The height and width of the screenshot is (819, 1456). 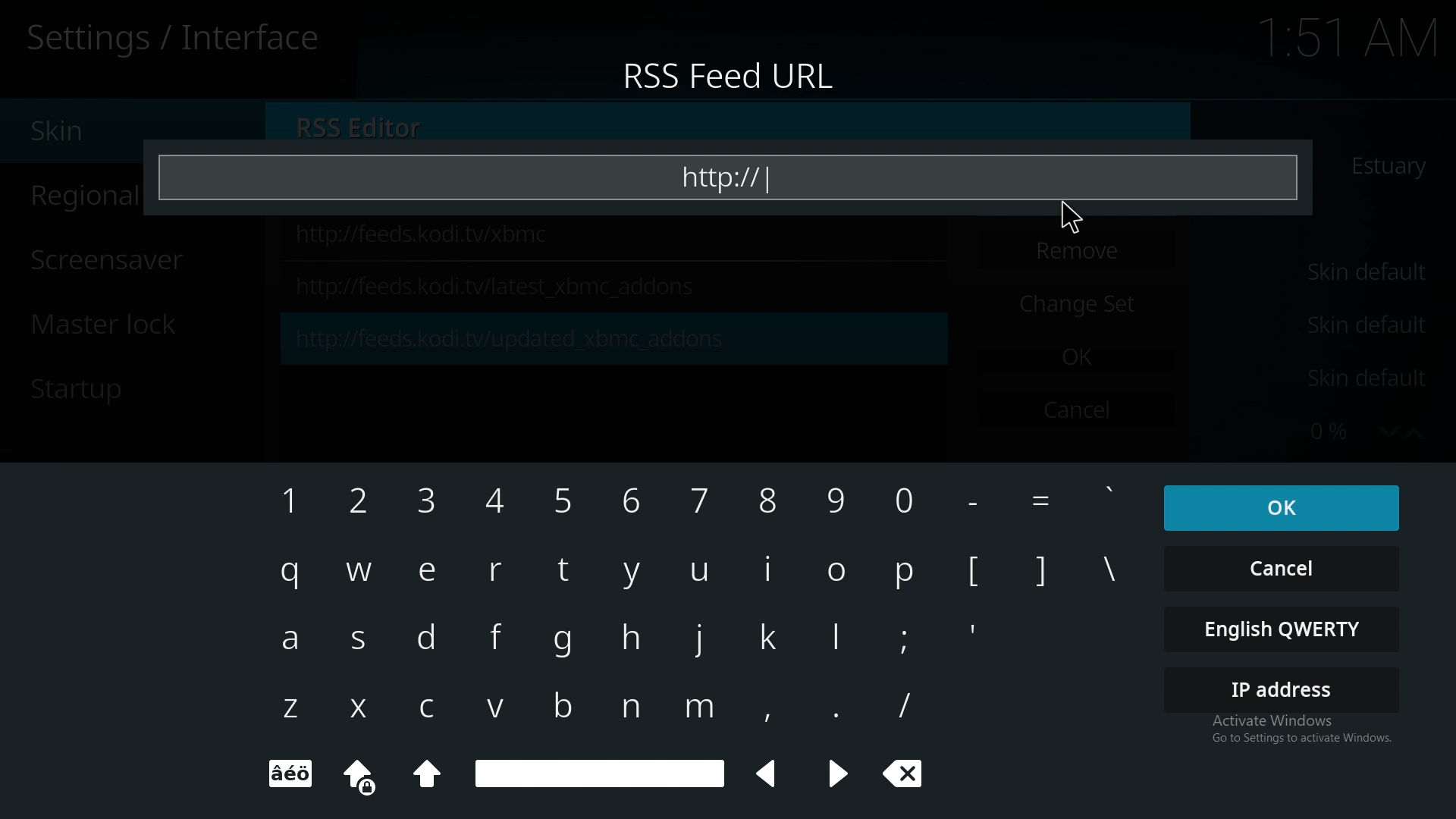 I want to click on ip address, so click(x=1281, y=688).